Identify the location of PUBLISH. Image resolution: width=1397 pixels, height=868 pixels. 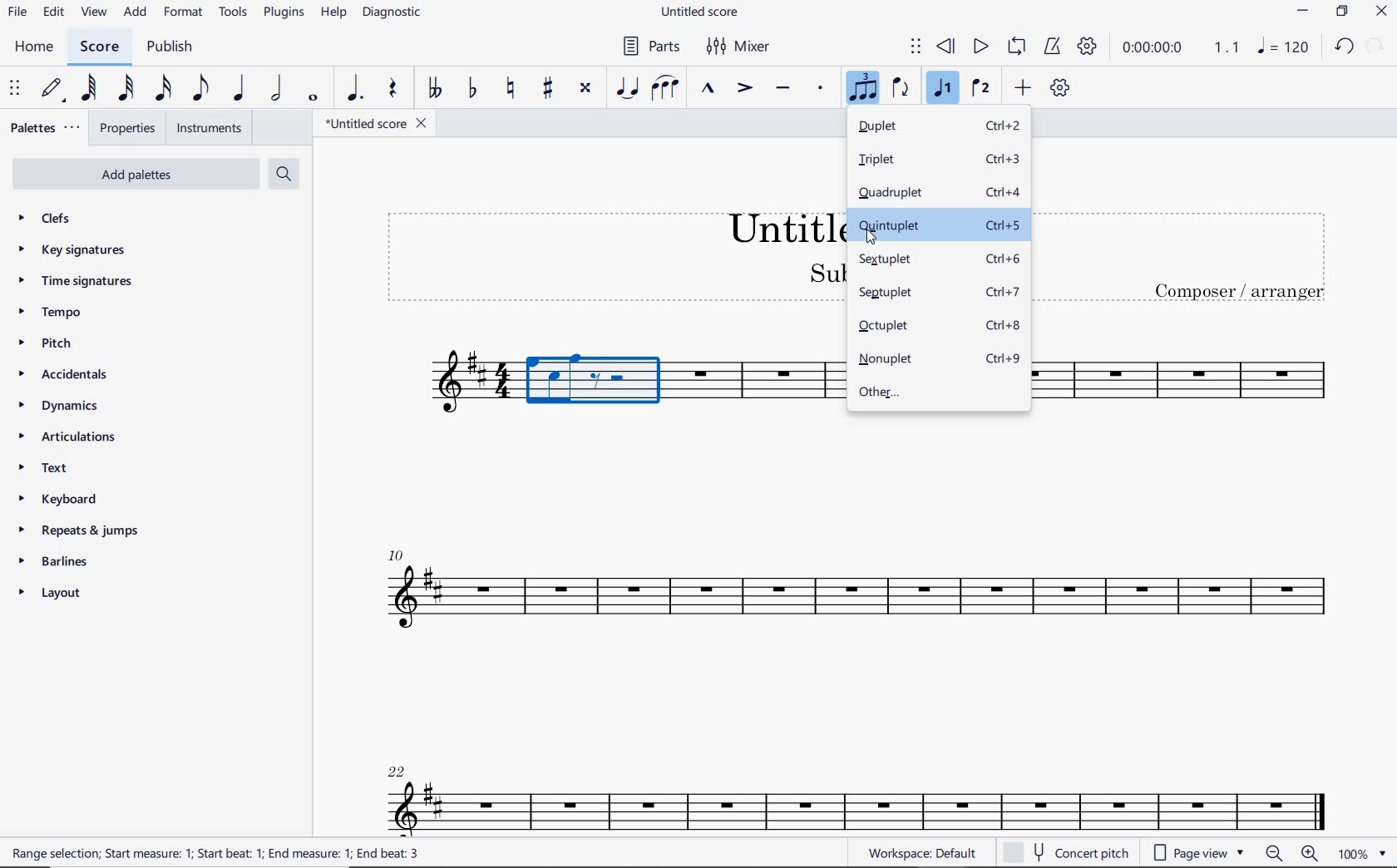
(171, 49).